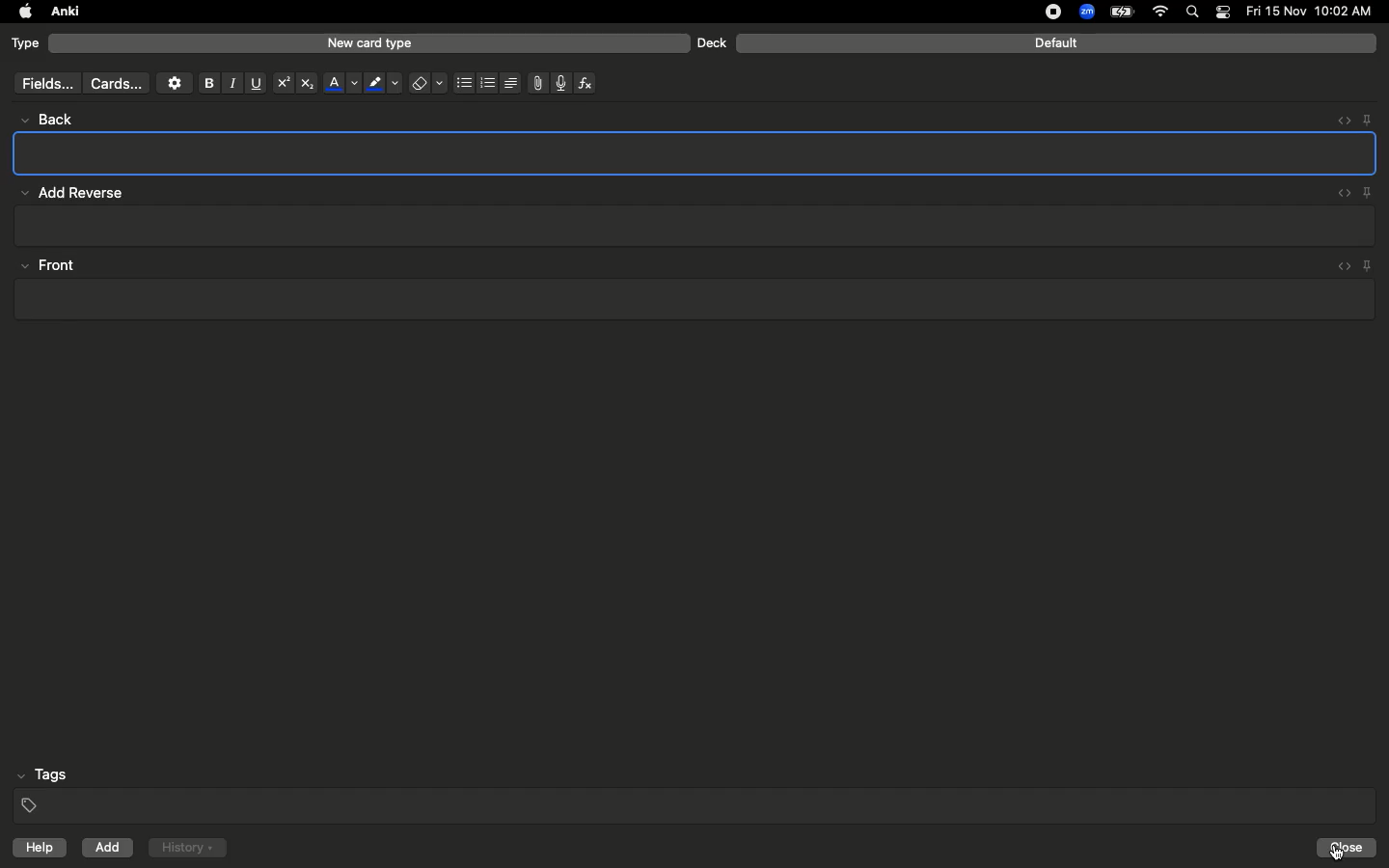  I want to click on Cards, so click(116, 84).